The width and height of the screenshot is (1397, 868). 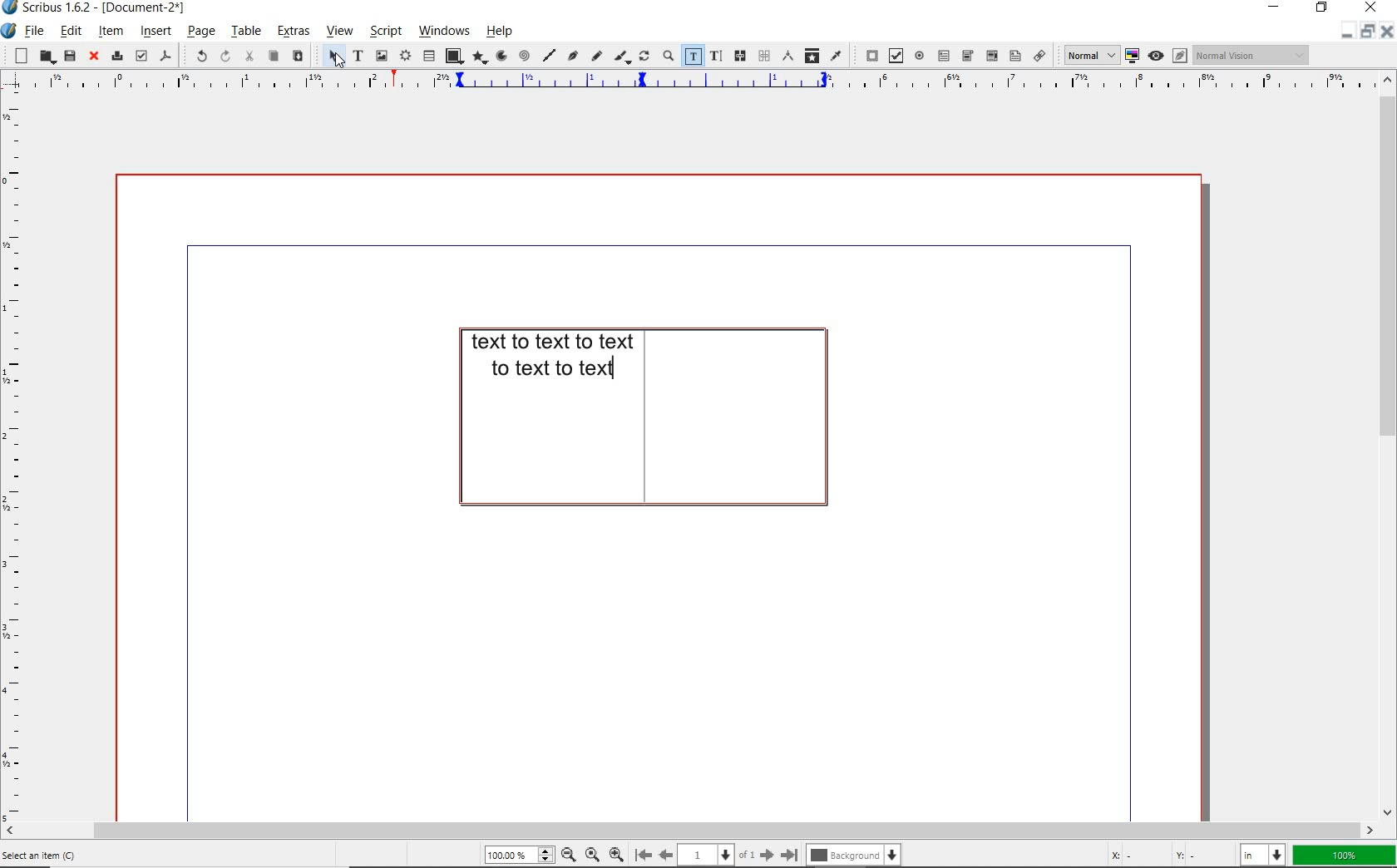 What do you see at coordinates (740, 57) in the screenshot?
I see `link text frames` at bounding box center [740, 57].